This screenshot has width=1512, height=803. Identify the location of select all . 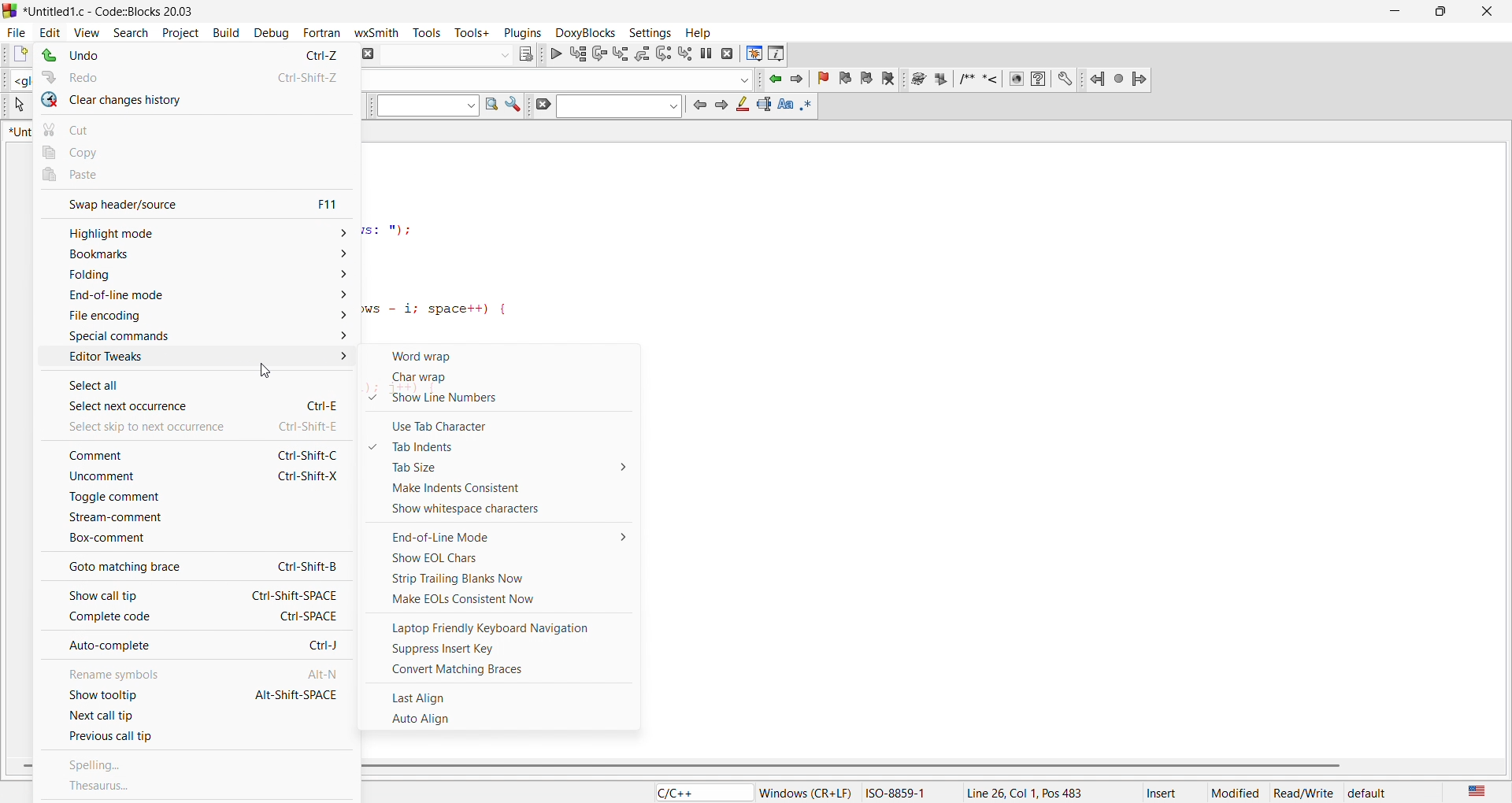
(132, 387).